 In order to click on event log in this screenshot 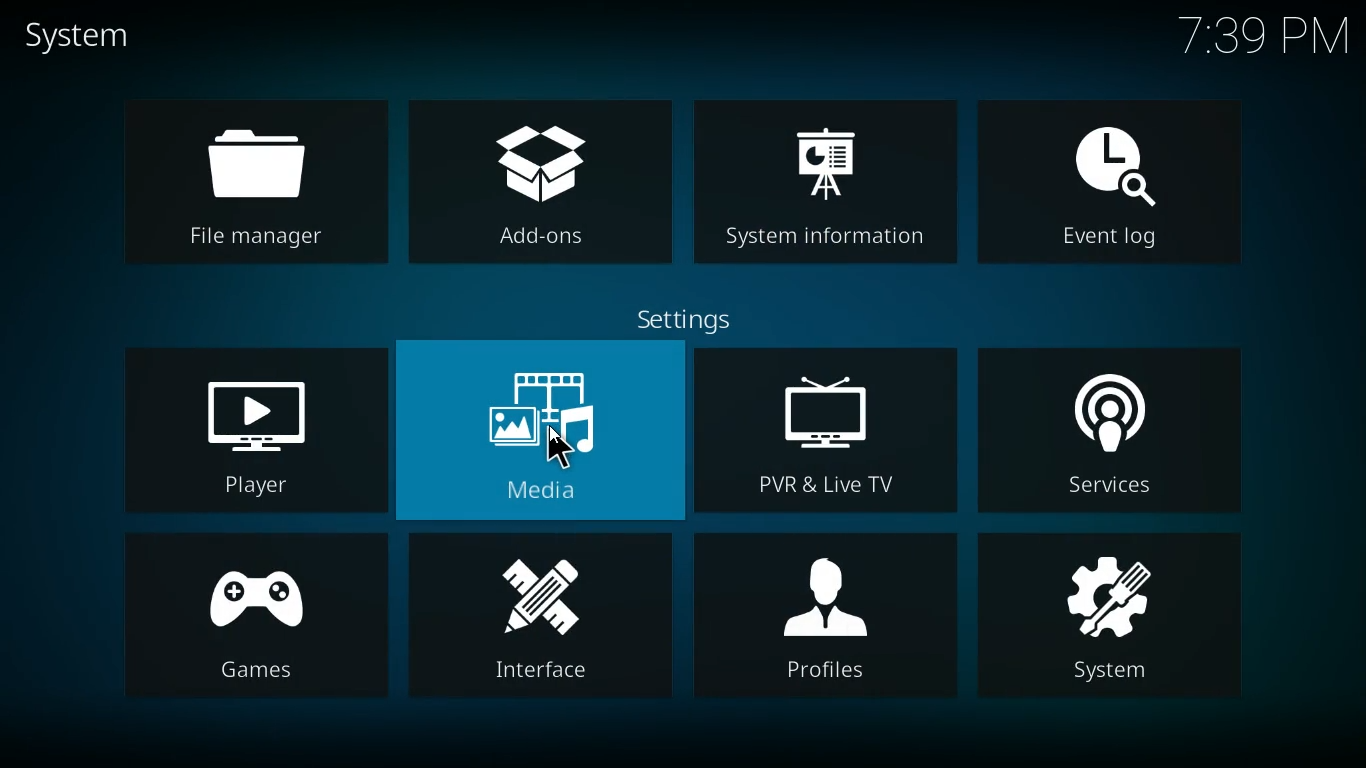, I will do `click(1116, 178)`.